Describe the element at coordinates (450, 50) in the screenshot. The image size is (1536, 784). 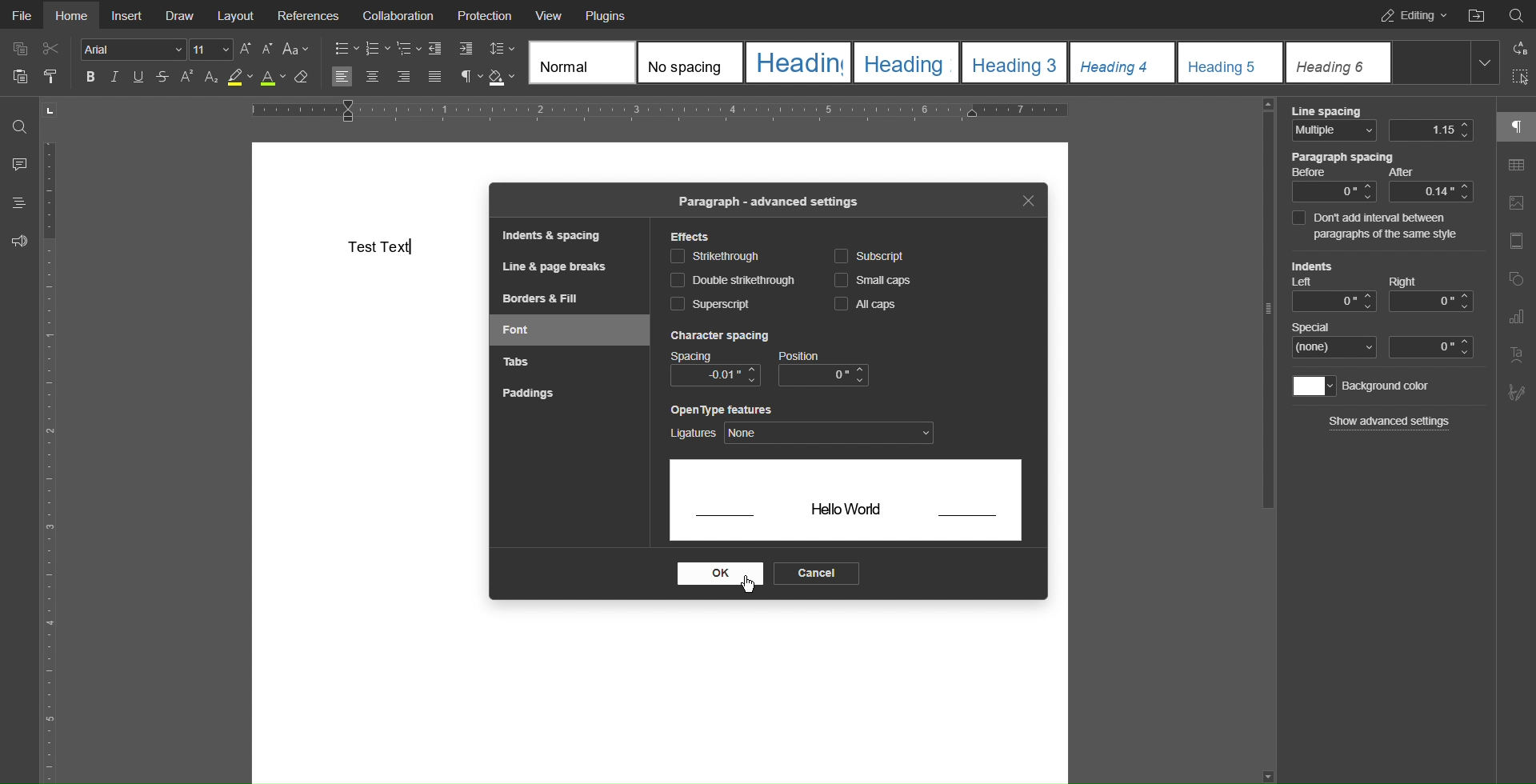
I see `Indents` at that location.